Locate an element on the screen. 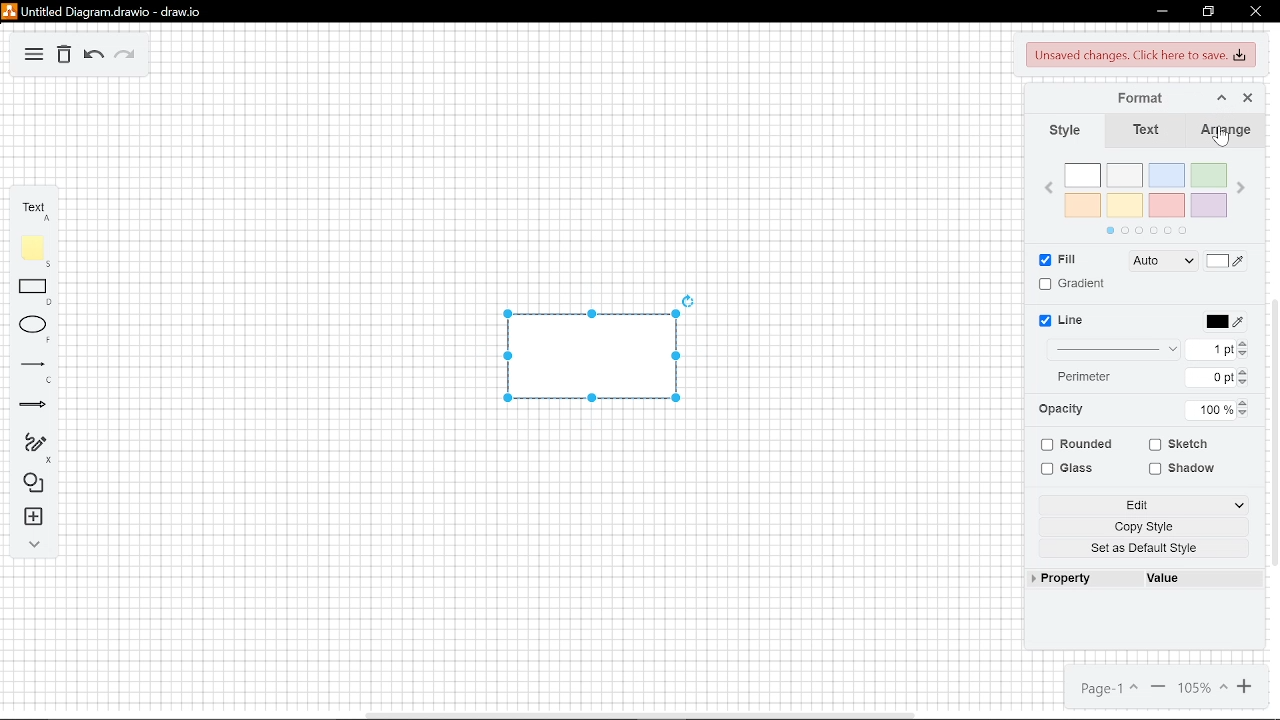 The width and height of the screenshot is (1280, 720). property is located at coordinates (1063, 579).